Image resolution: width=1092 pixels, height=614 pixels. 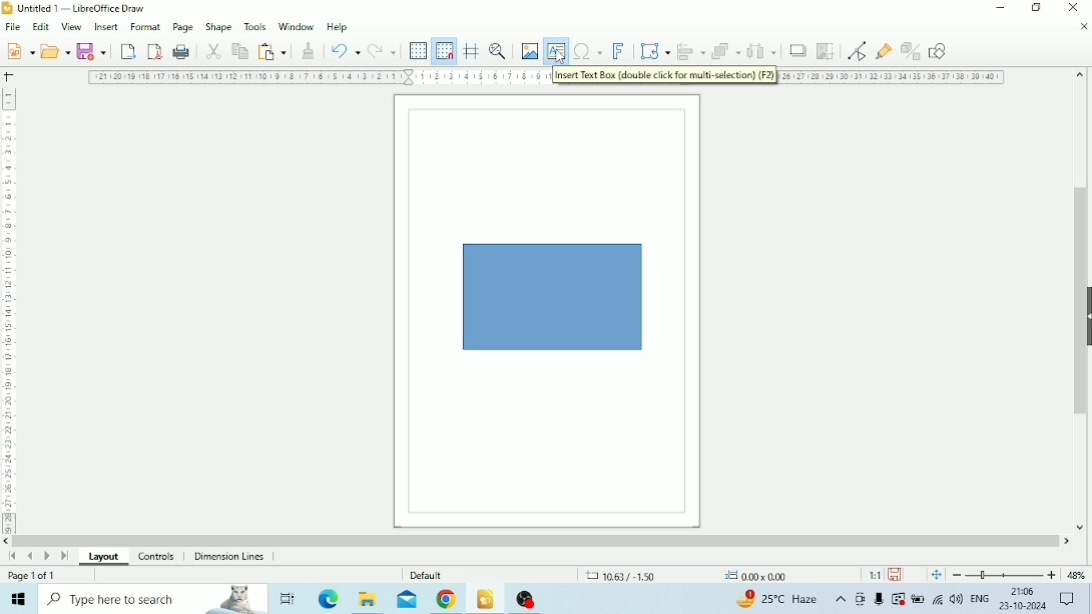 What do you see at coordinates (367, 600) in the screenshot?
I see `File Explorer` at bounding box center [367, 600].